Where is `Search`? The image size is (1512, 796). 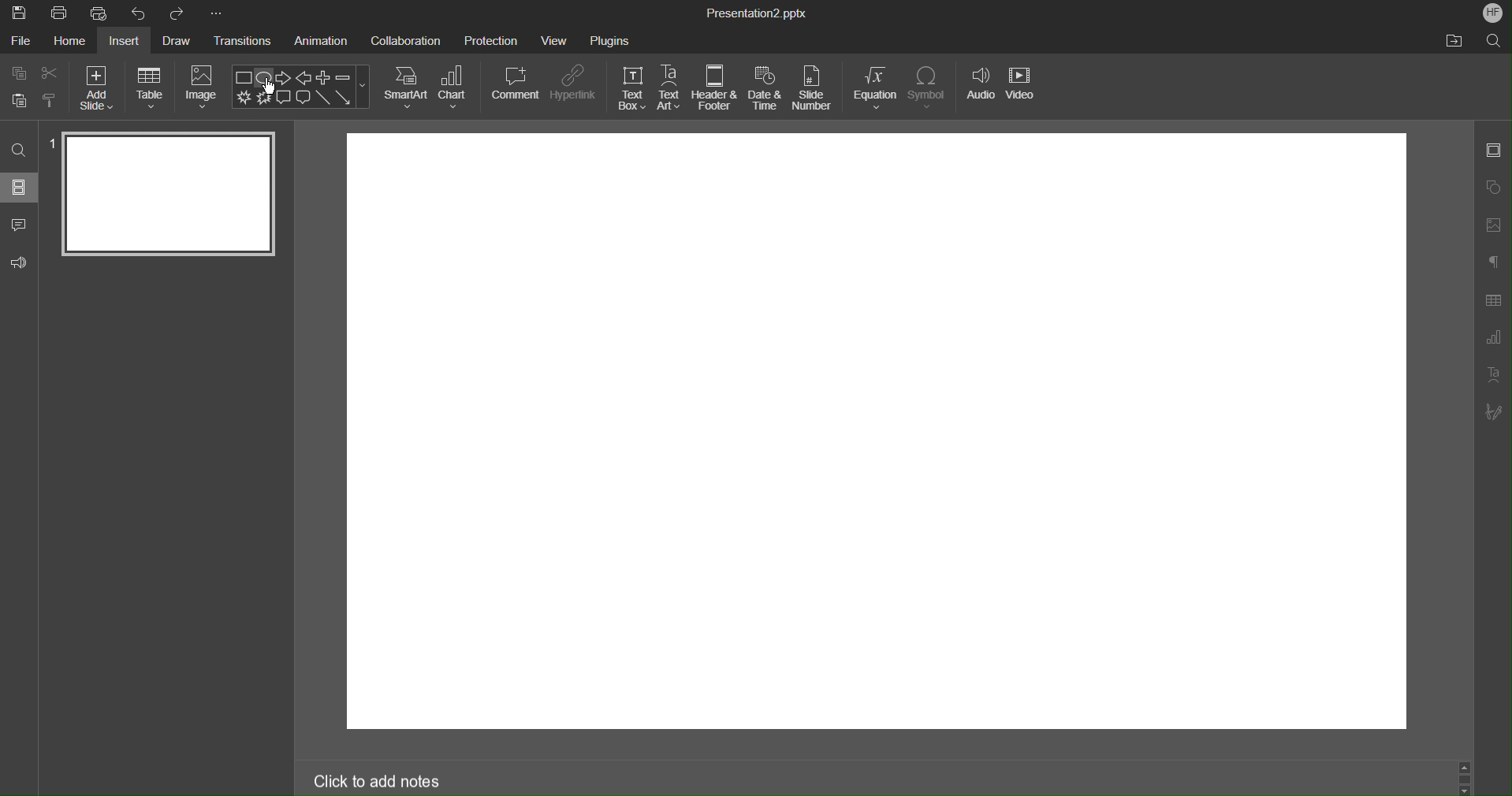 Search is located at coordinates (19, 149).